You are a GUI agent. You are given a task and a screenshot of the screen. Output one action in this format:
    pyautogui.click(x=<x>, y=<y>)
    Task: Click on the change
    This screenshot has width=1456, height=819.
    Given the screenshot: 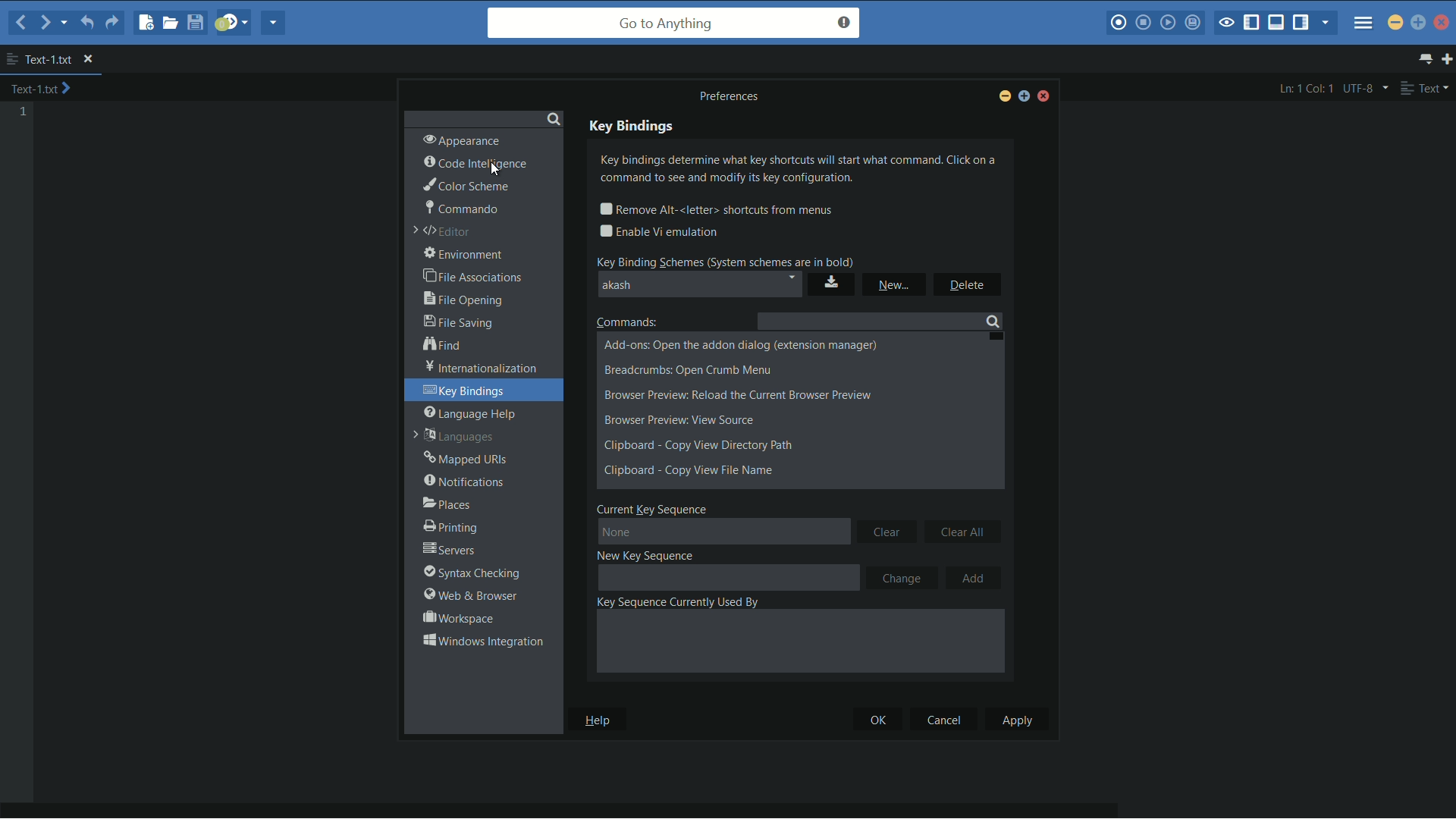 What is the action you would take?
    pyautogui.click(x=902, y=577)
    